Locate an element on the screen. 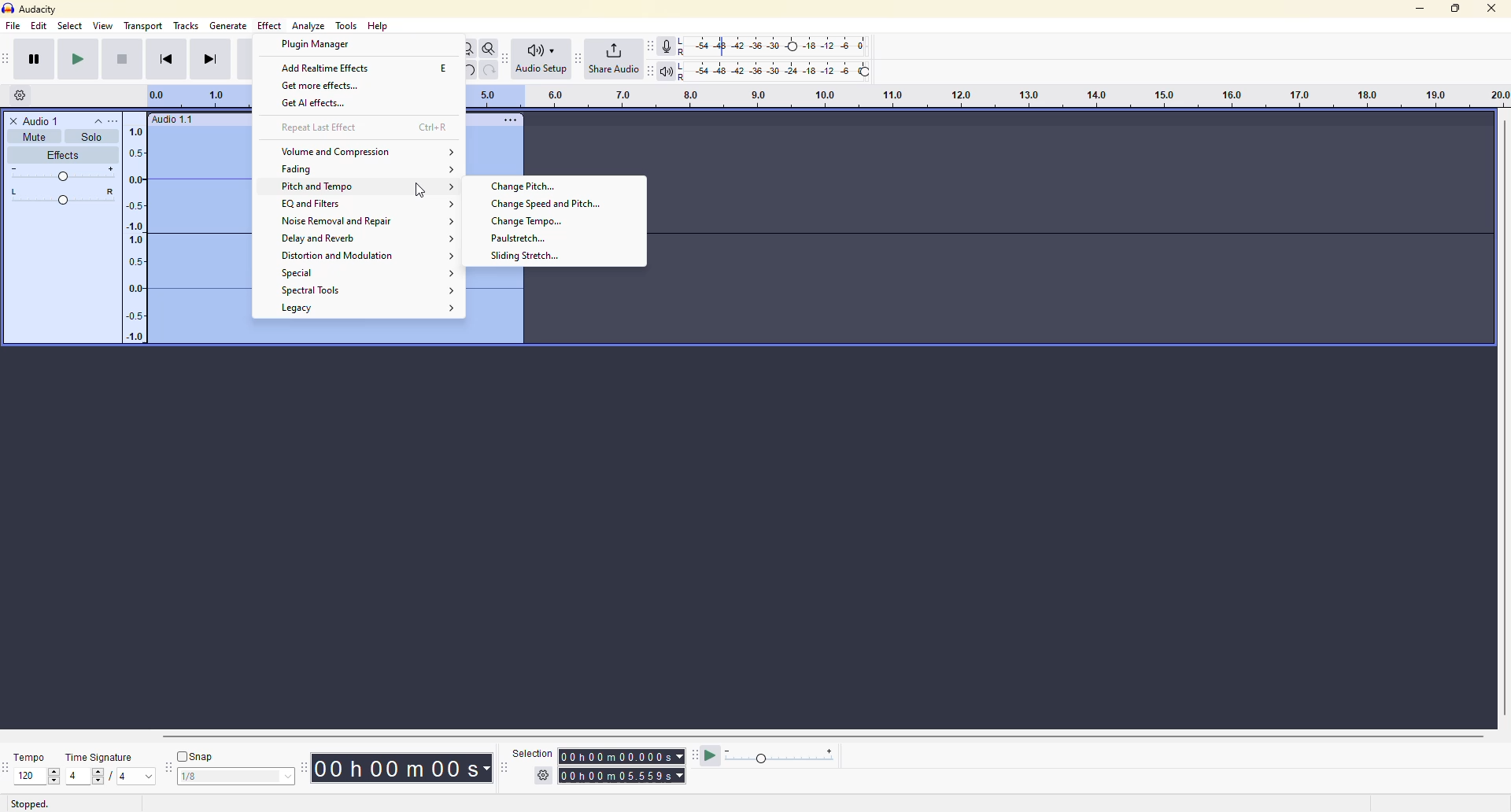 The width and height of the screenshot is (1511, 812). more is located at coordinates (122, 119).